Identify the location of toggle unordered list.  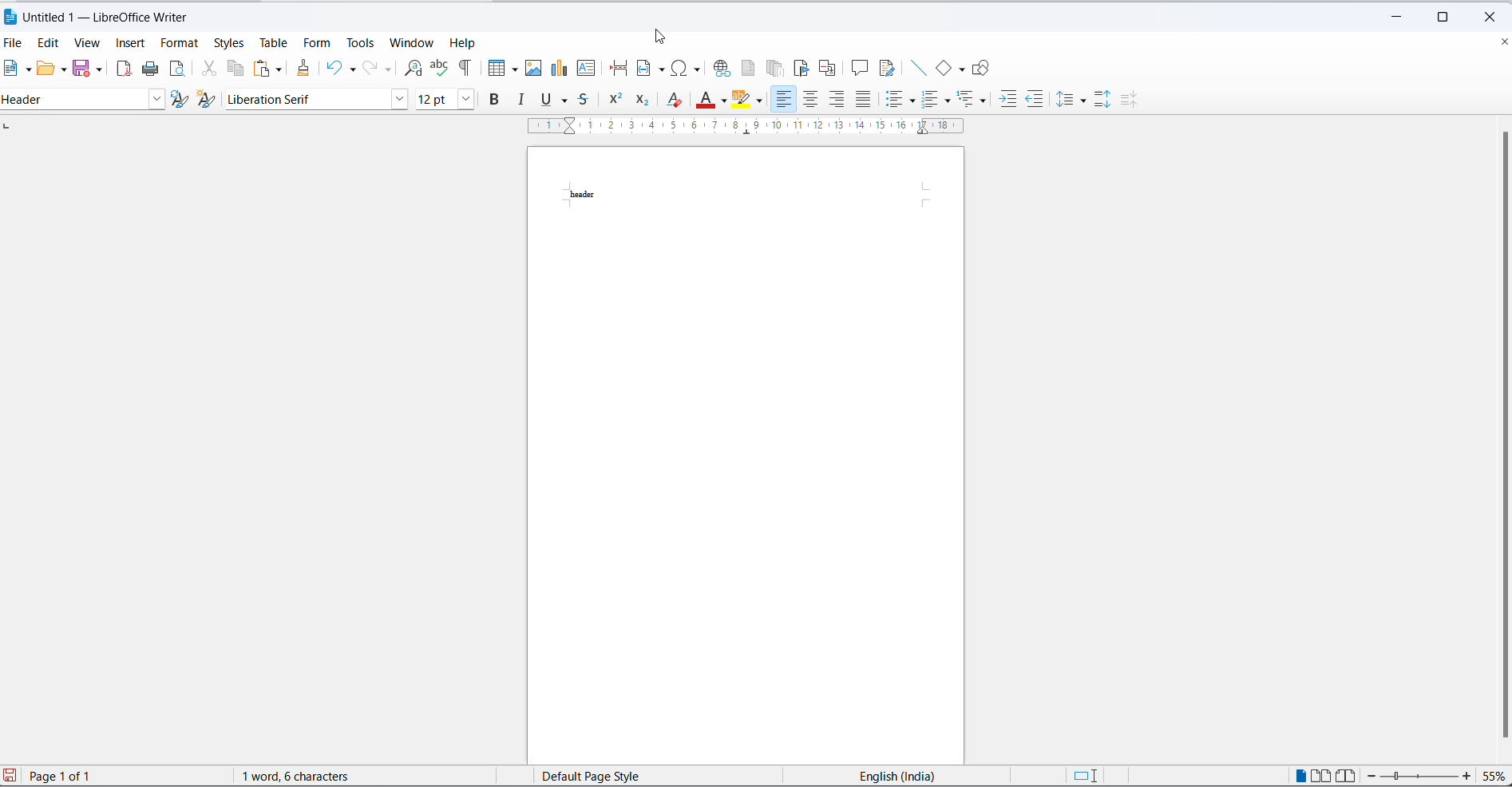
(897, 100).